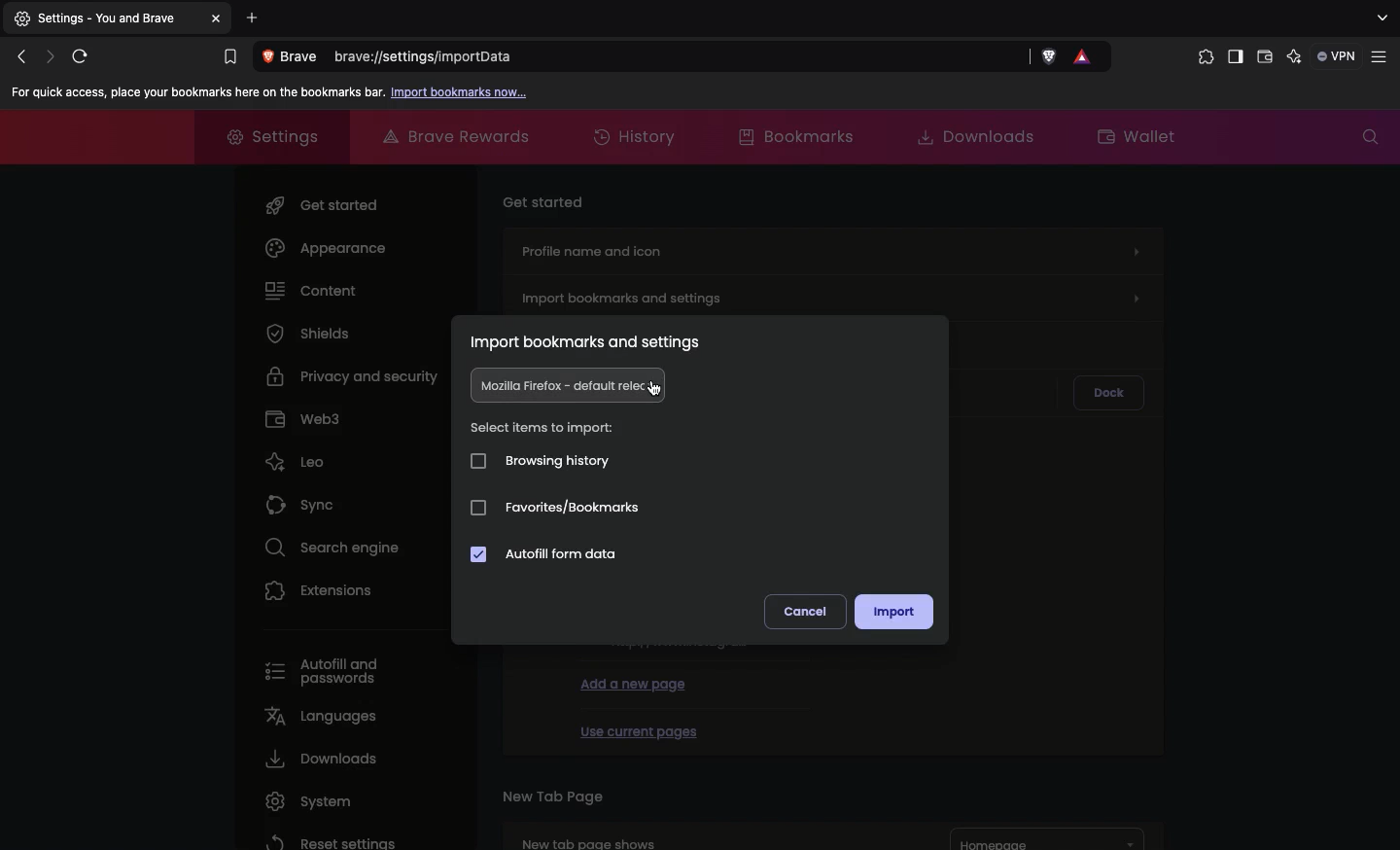 This screenshot has width=1400, height=850. I want to click on Sidebar, so click(1234, 58).